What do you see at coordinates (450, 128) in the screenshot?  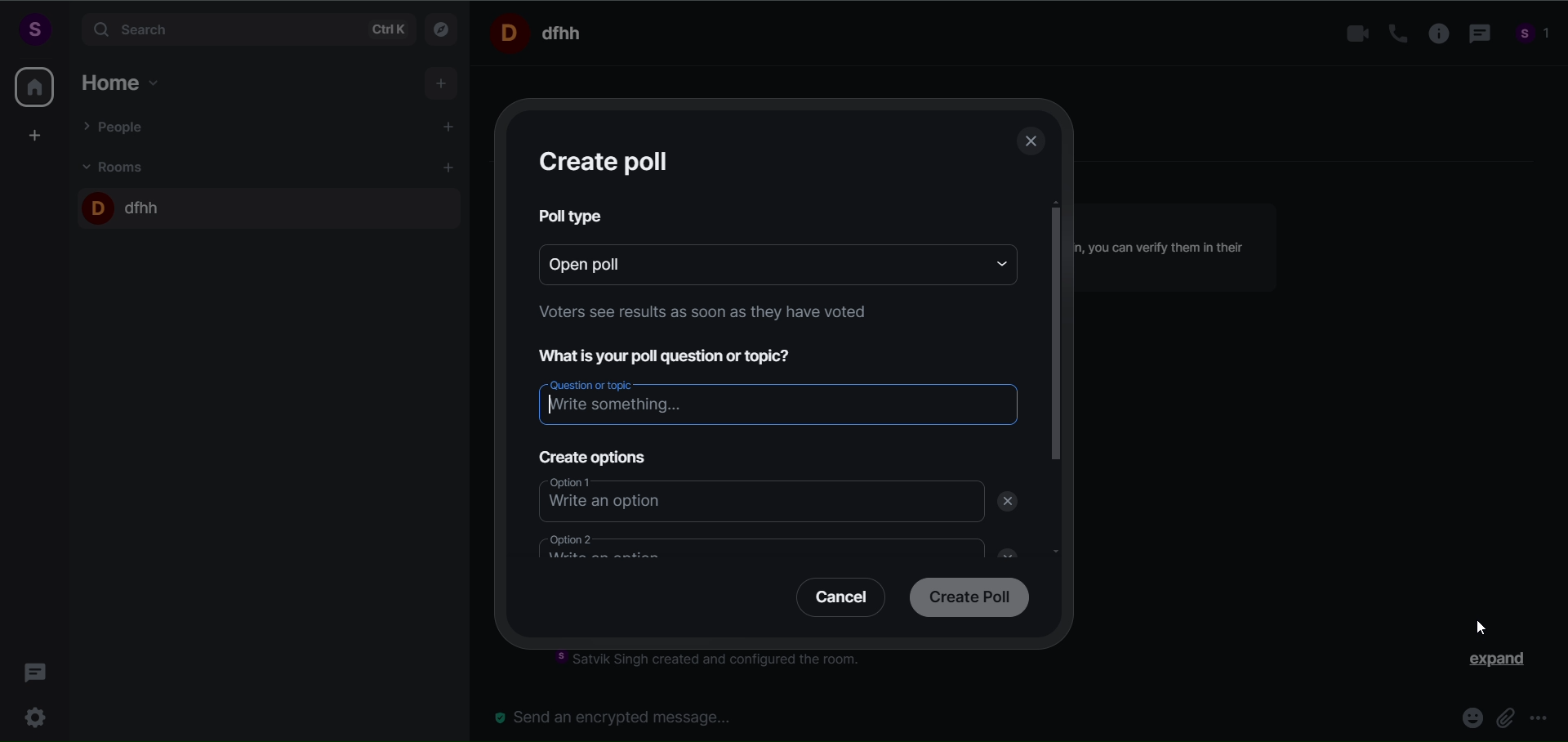 I see `start chat` at bounding box center [450, 128].